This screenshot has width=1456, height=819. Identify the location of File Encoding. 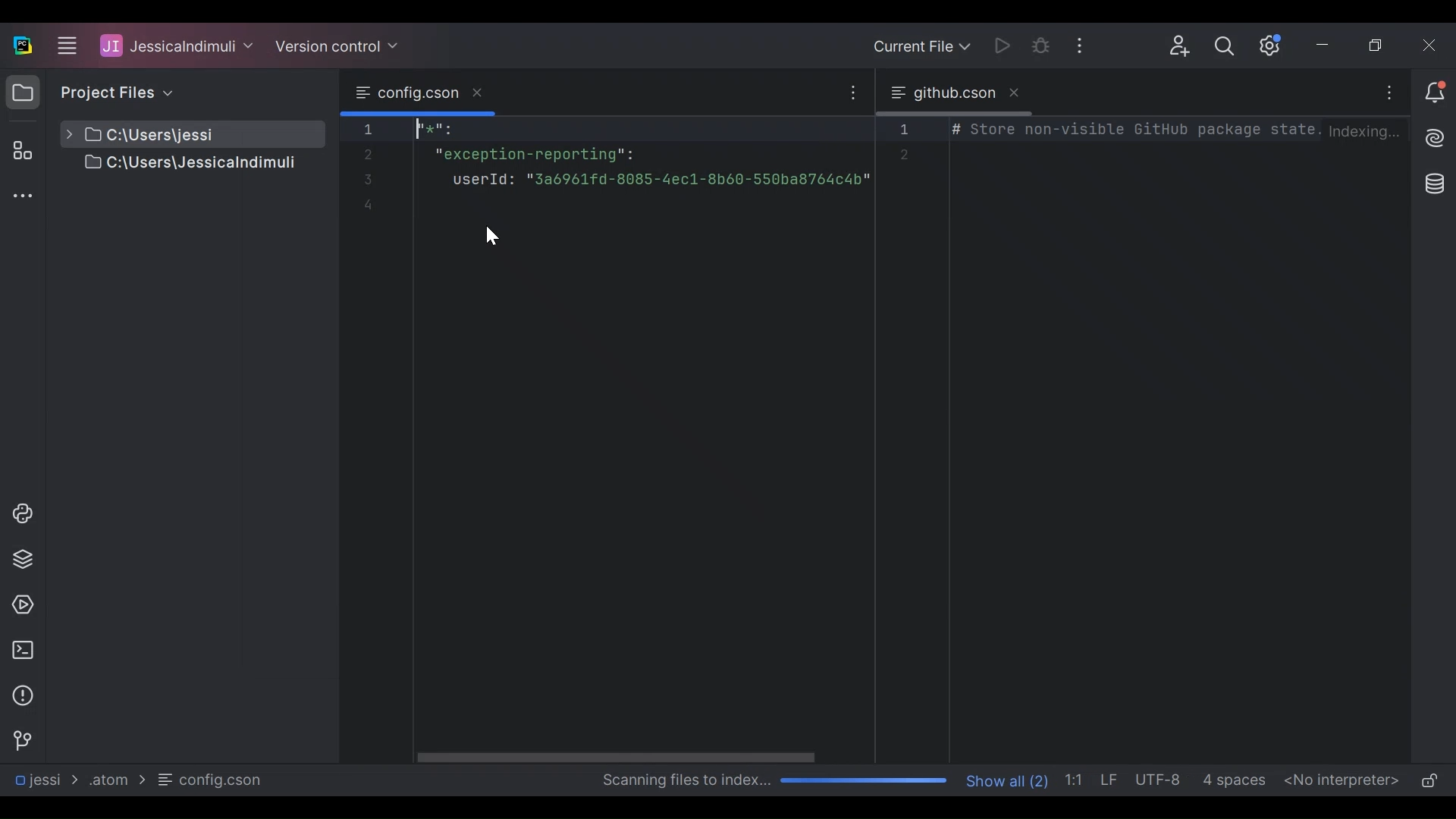
(1161, 780).